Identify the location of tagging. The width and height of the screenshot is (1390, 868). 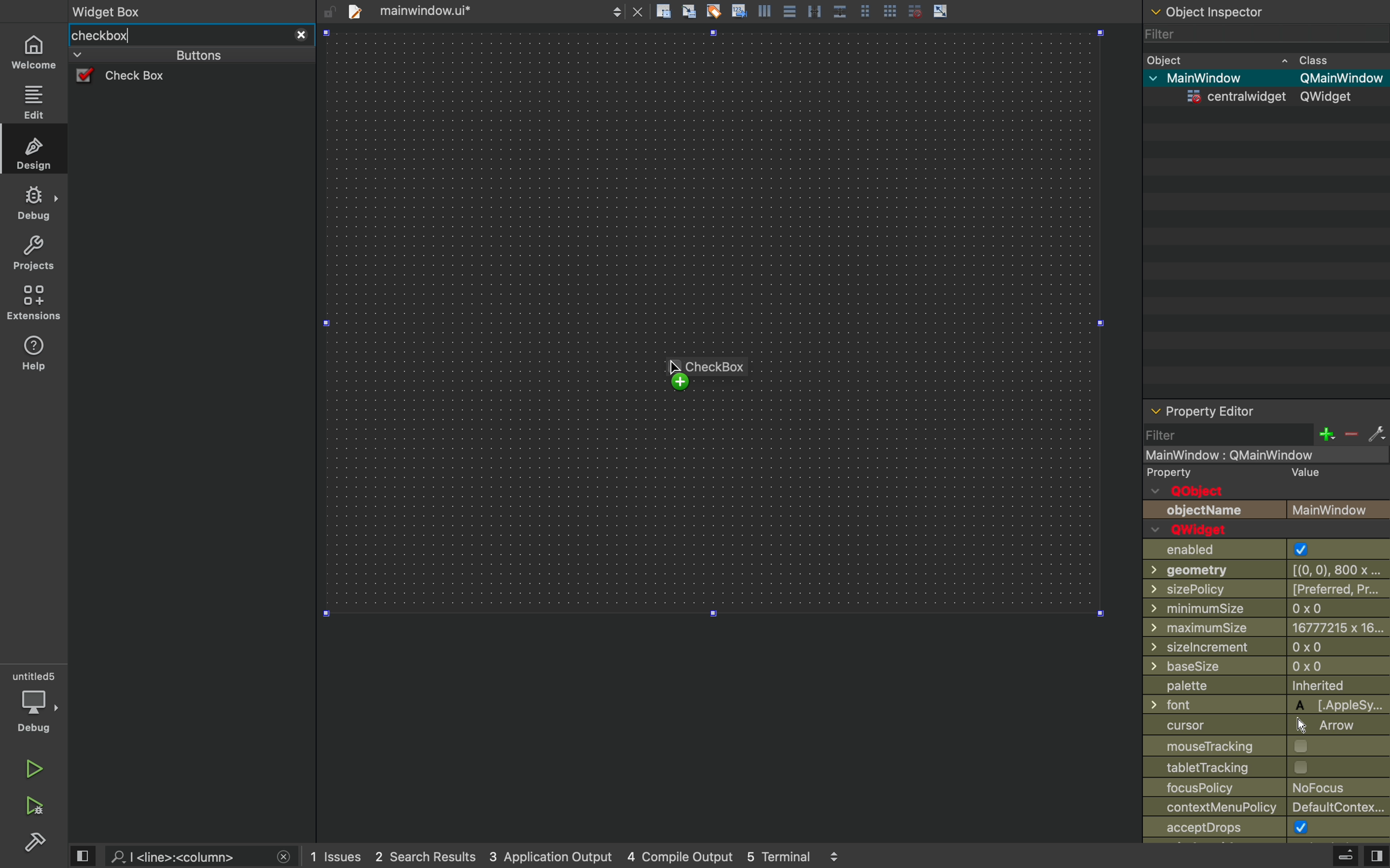
(713, 10).